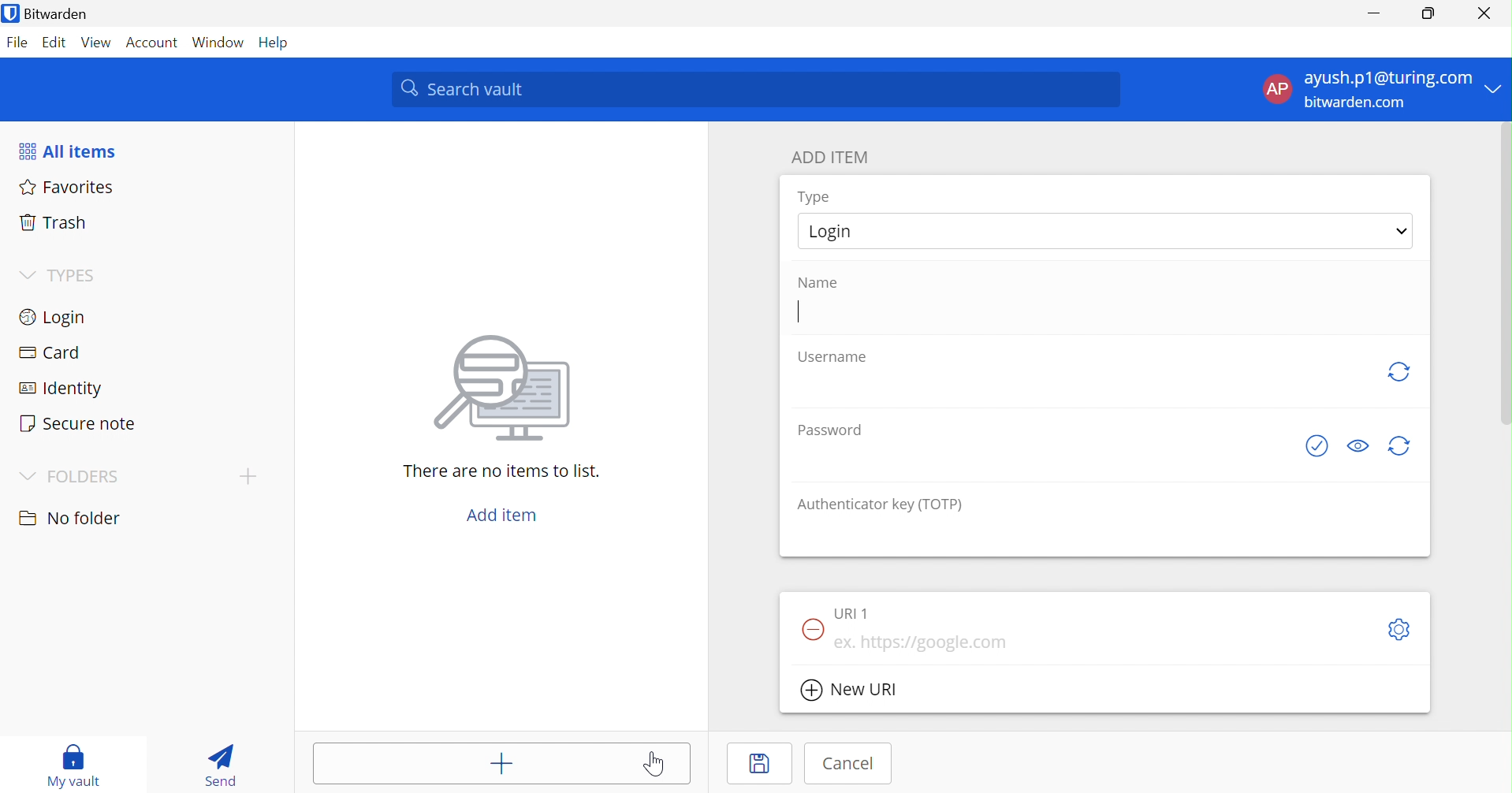 The height and width of the screenshot is (793, 1512). What do you see at coordinates (18, 43) in the screenshot?
I see `File` at bounding box center [18, 43].